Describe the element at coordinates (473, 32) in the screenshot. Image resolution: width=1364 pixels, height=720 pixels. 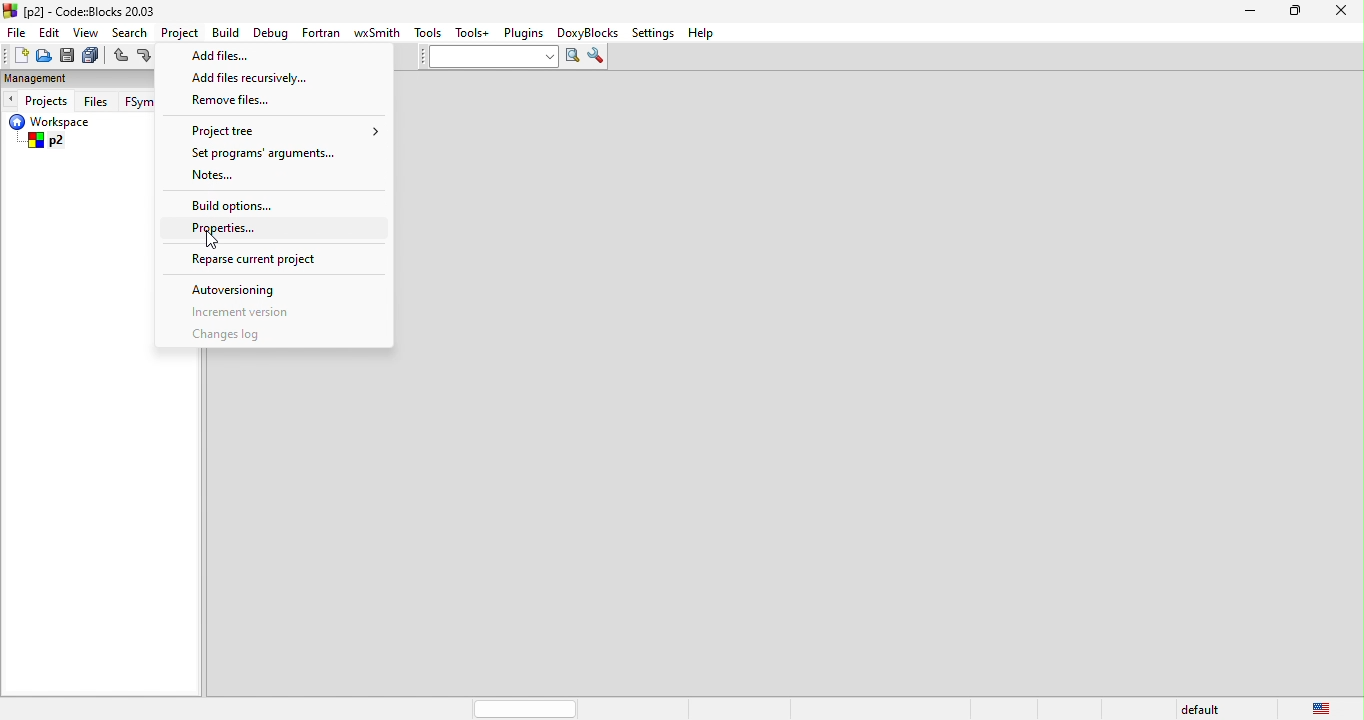
I see `tools++` at that location.